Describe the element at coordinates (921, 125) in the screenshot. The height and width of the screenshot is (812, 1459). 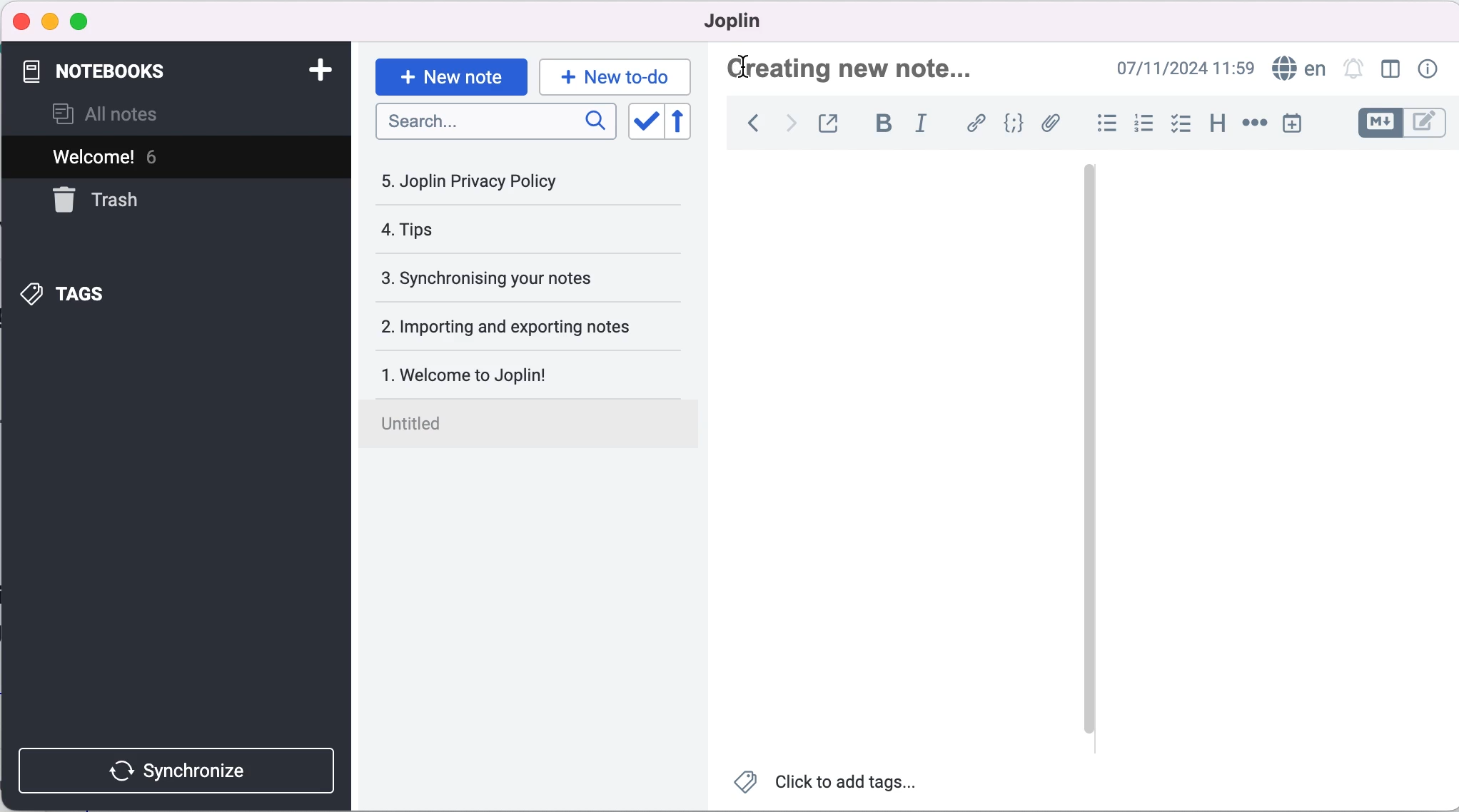
I see `italic` at that location.